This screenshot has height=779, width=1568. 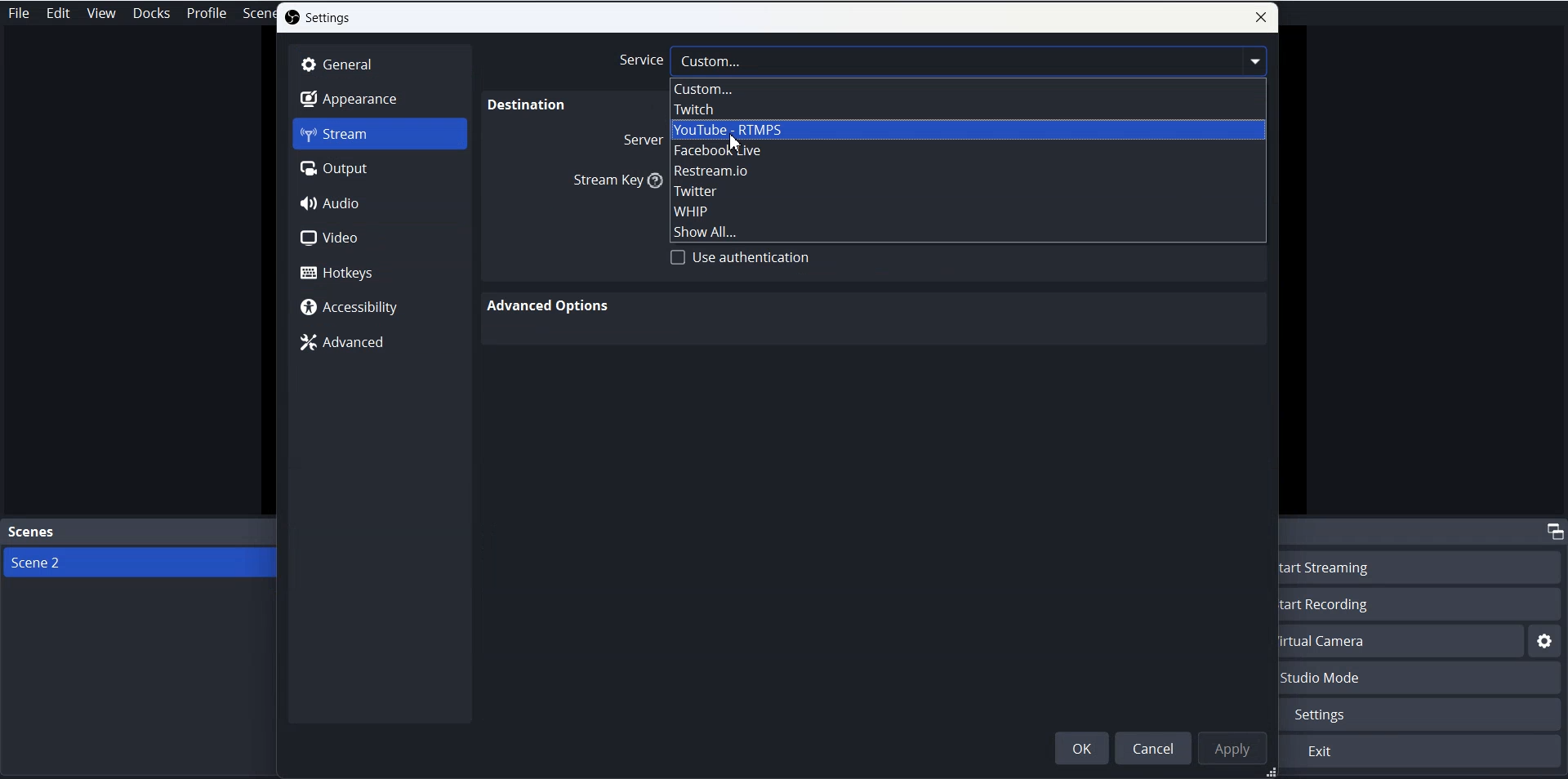 I want to click on Cancel, so click(x=1151, y=747).